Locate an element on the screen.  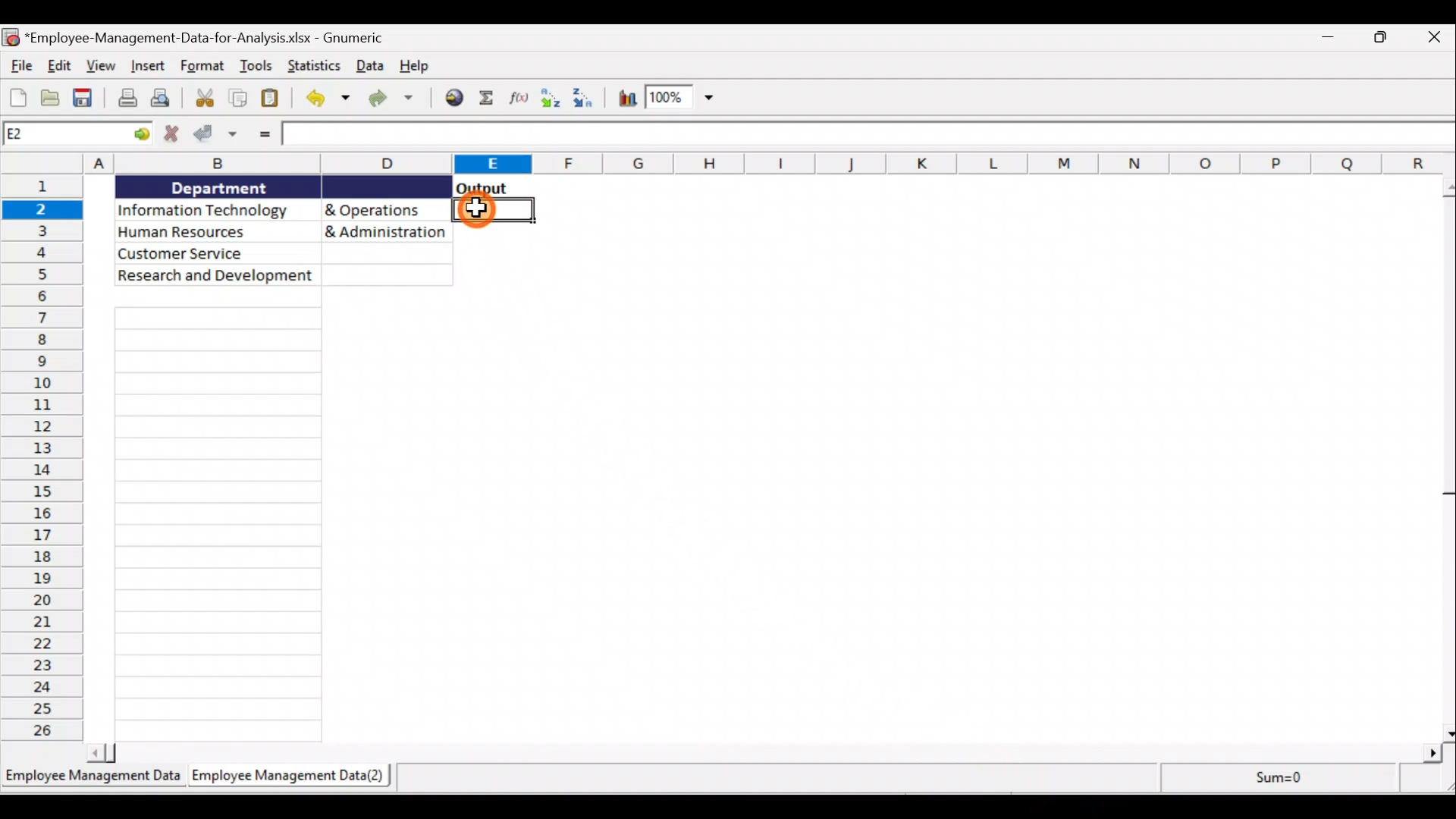
Data is located at coordinates (370, 67).